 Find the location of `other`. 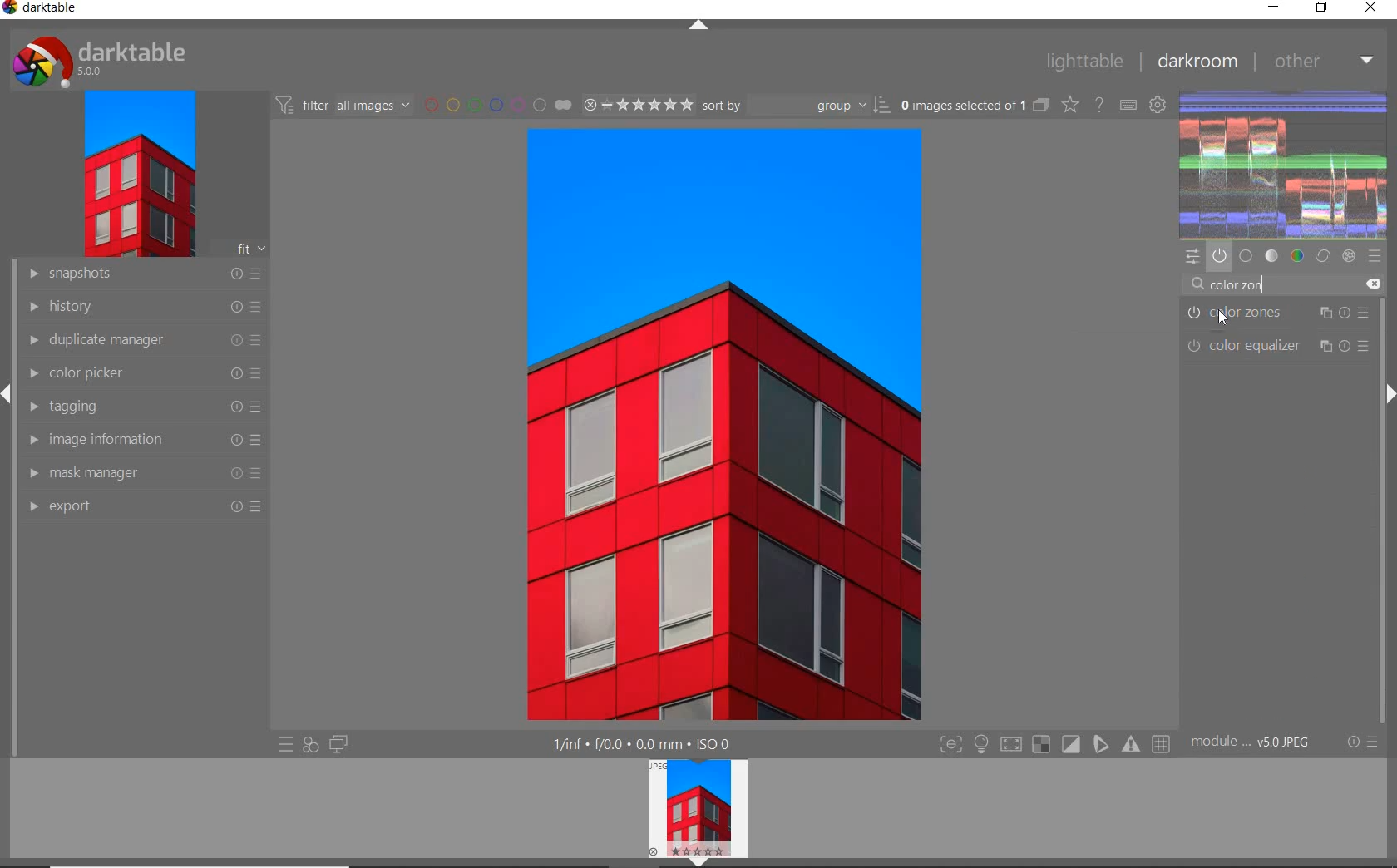

other is located at coordinates (1324, 60).